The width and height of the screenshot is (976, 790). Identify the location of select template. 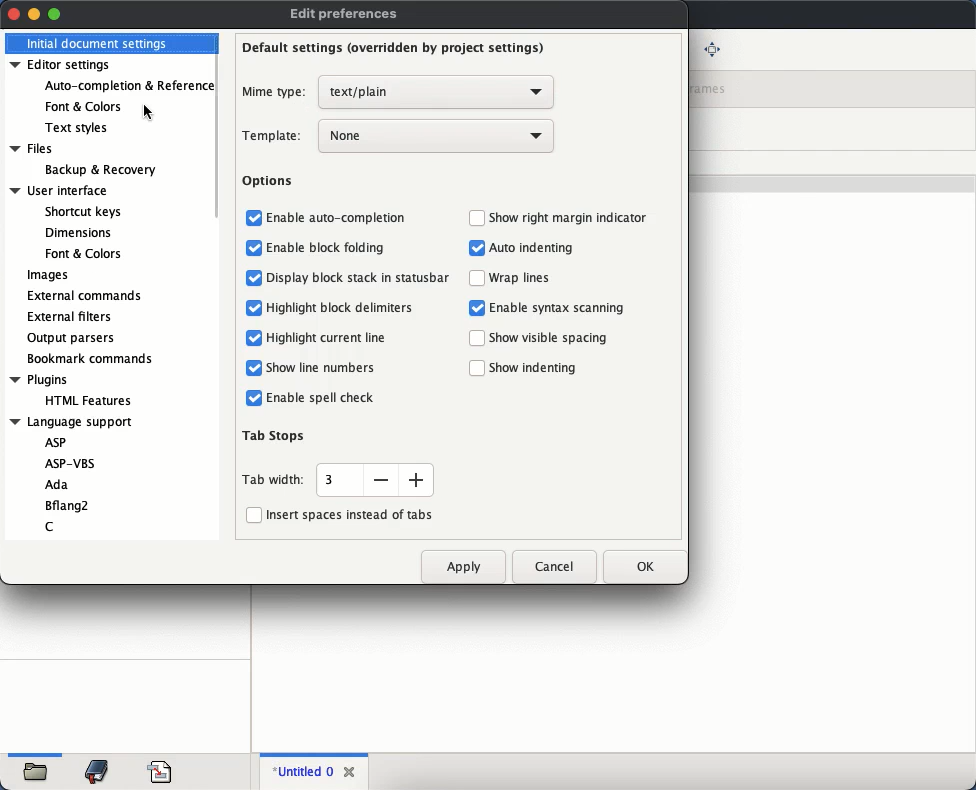
(435, 136).